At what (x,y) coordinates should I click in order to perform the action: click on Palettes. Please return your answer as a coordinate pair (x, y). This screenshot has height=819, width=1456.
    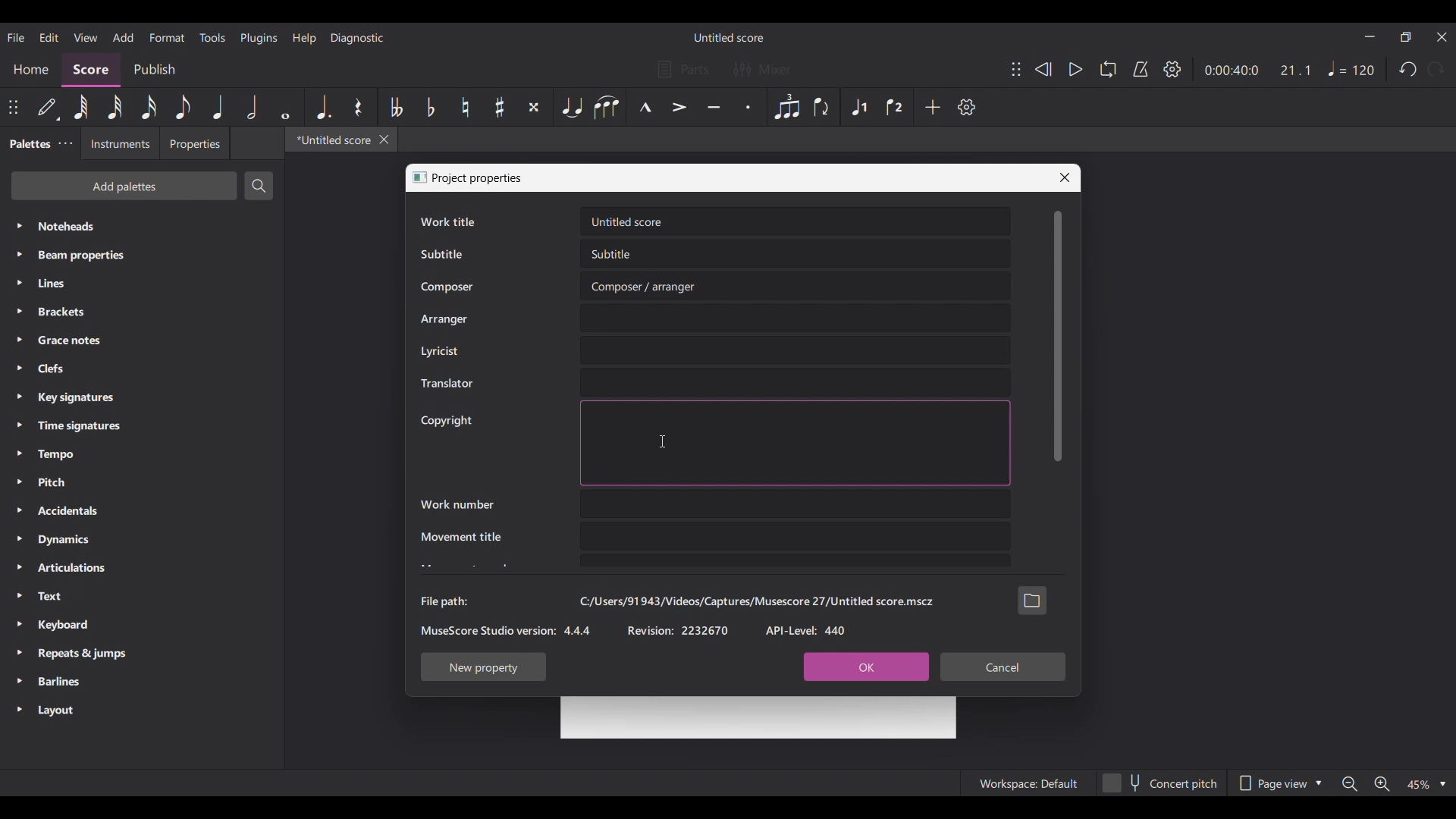
    Looking at the image, I should click on (28, 143).